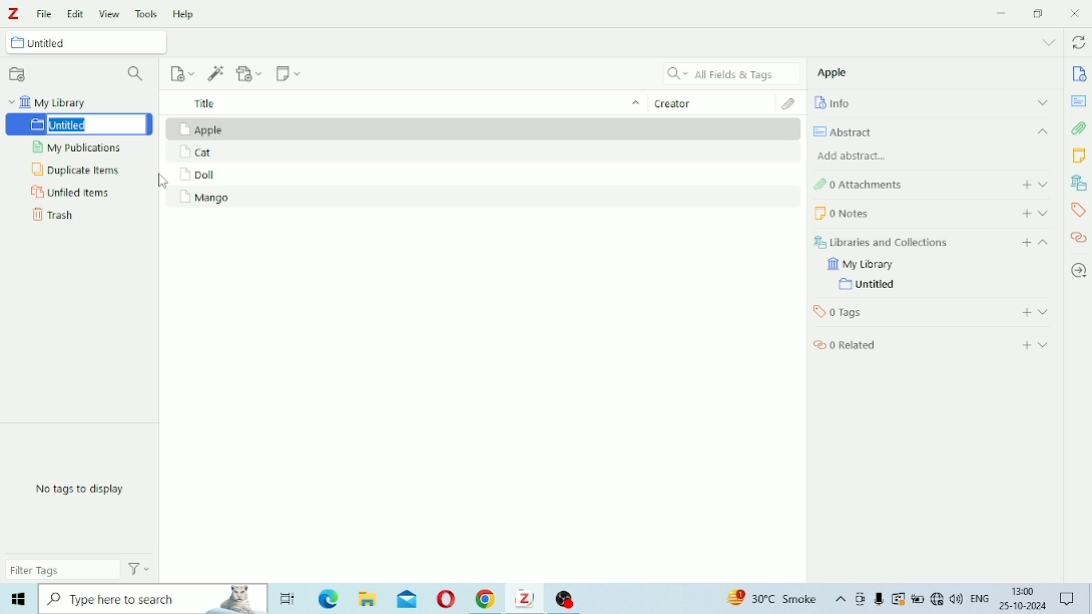  I want to click on Related, so click(845, 345).